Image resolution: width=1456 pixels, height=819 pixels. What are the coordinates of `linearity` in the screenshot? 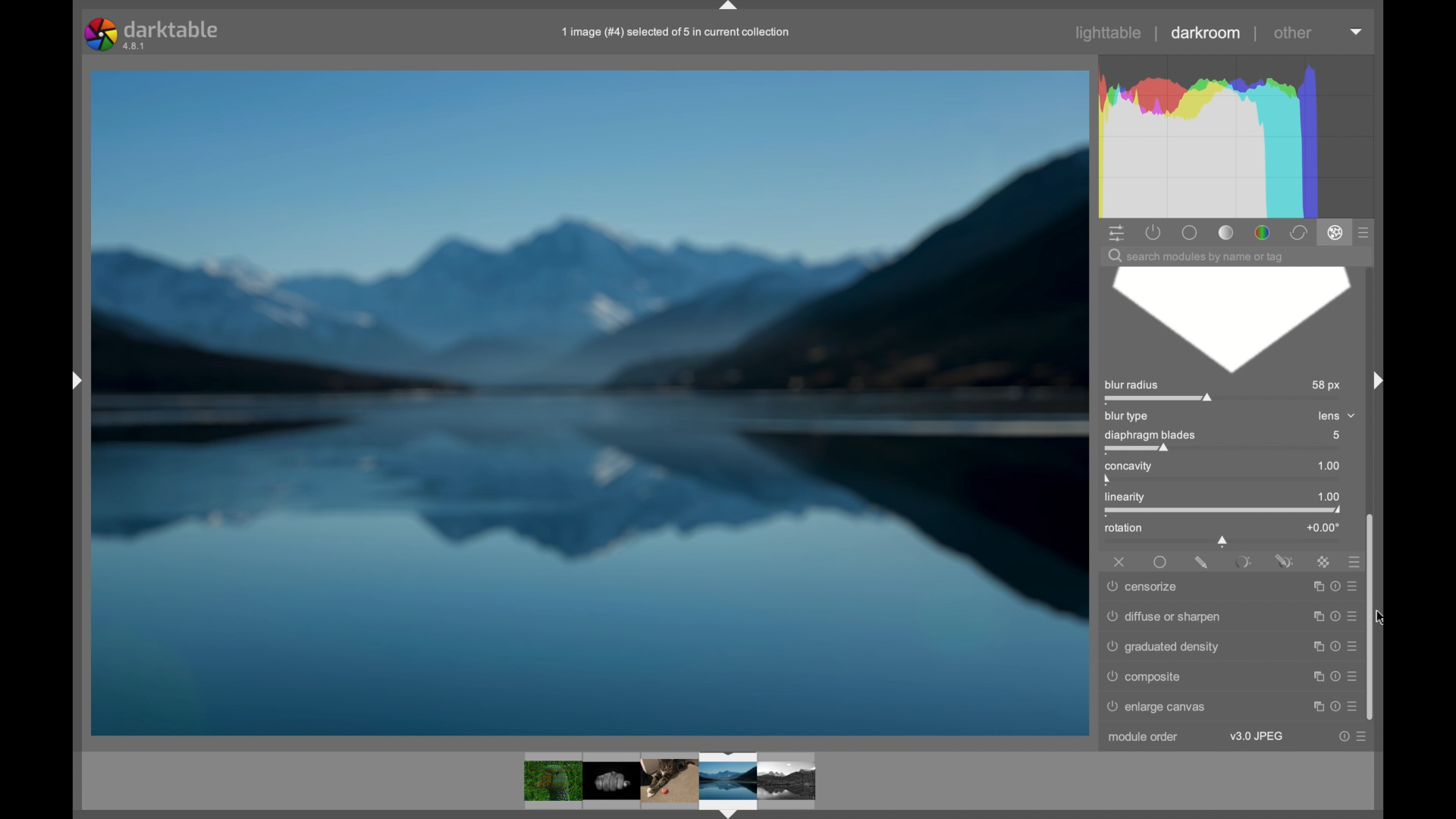 It's located at (1137, 500).